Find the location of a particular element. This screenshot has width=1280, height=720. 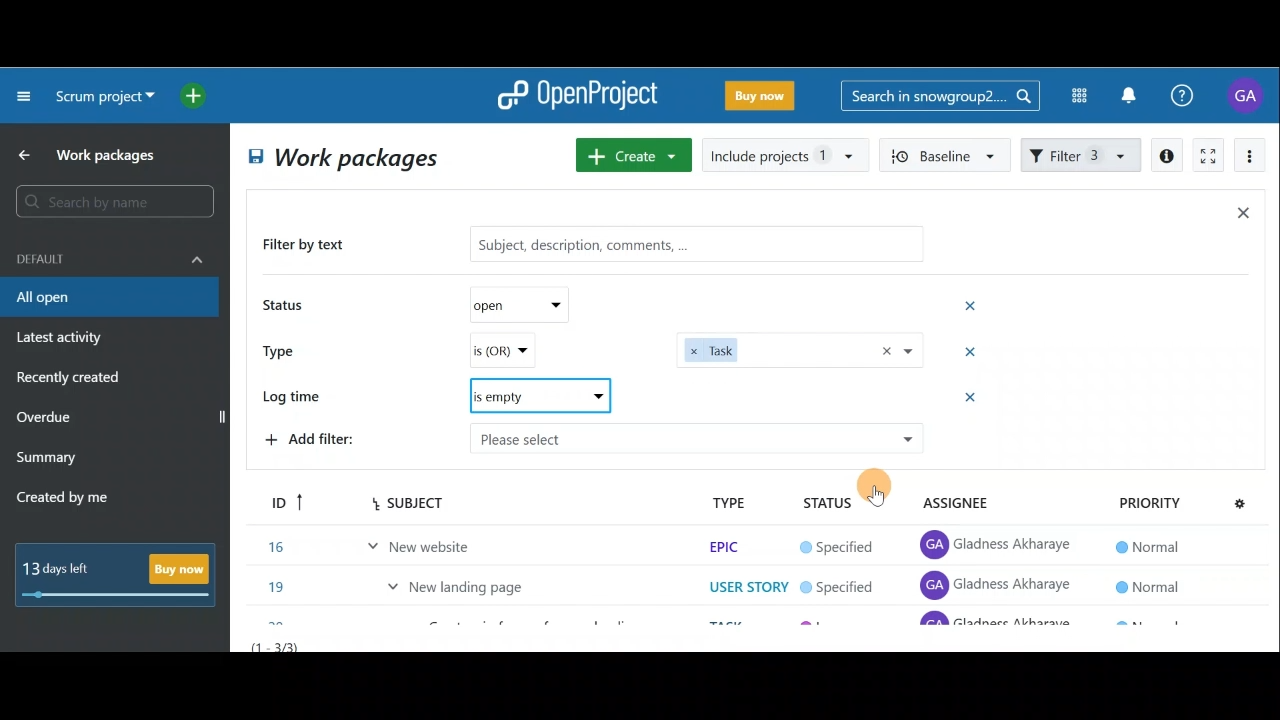

Buy now is located at coordinates (122, 574).